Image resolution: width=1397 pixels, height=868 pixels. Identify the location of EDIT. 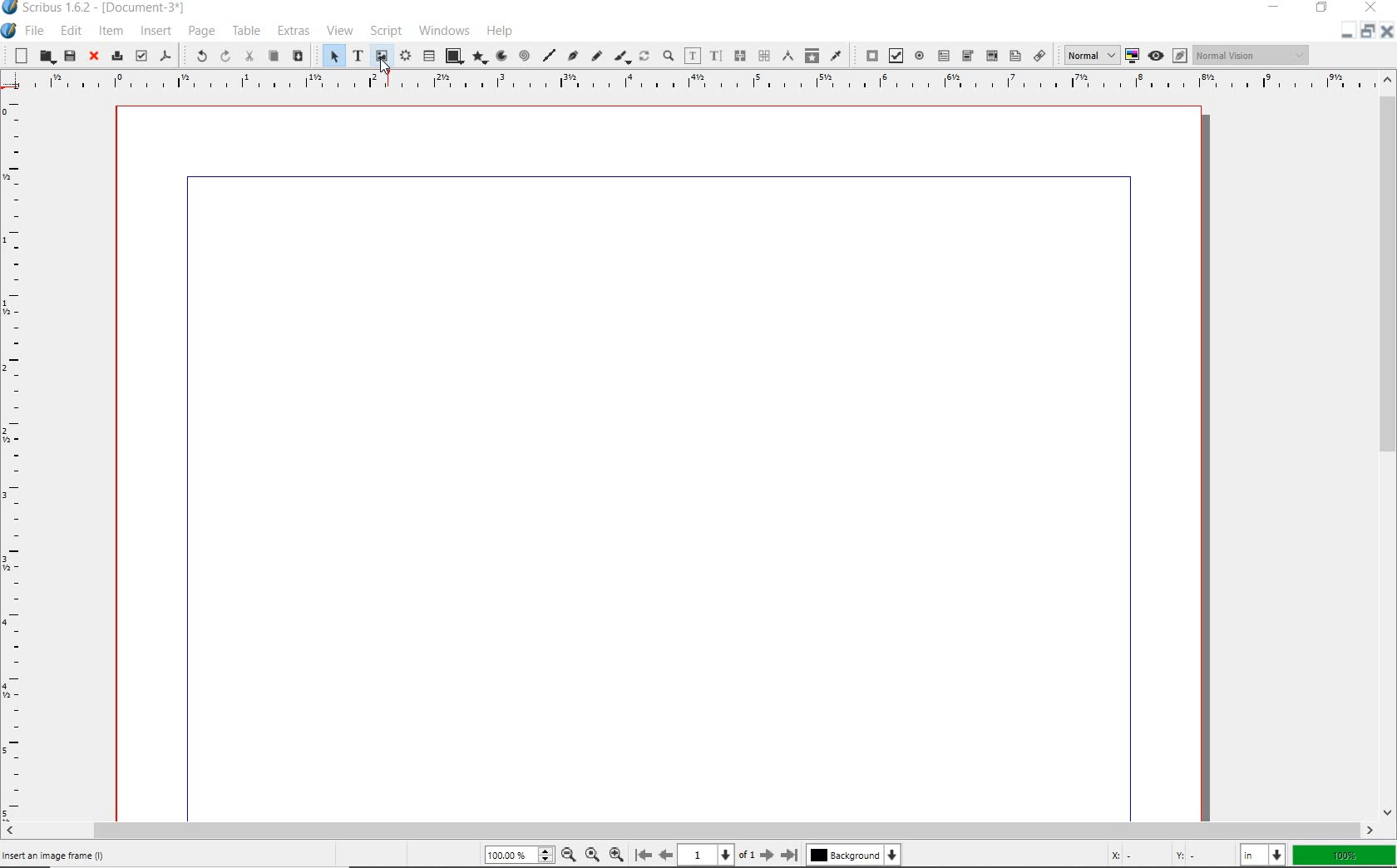
(71, 31).